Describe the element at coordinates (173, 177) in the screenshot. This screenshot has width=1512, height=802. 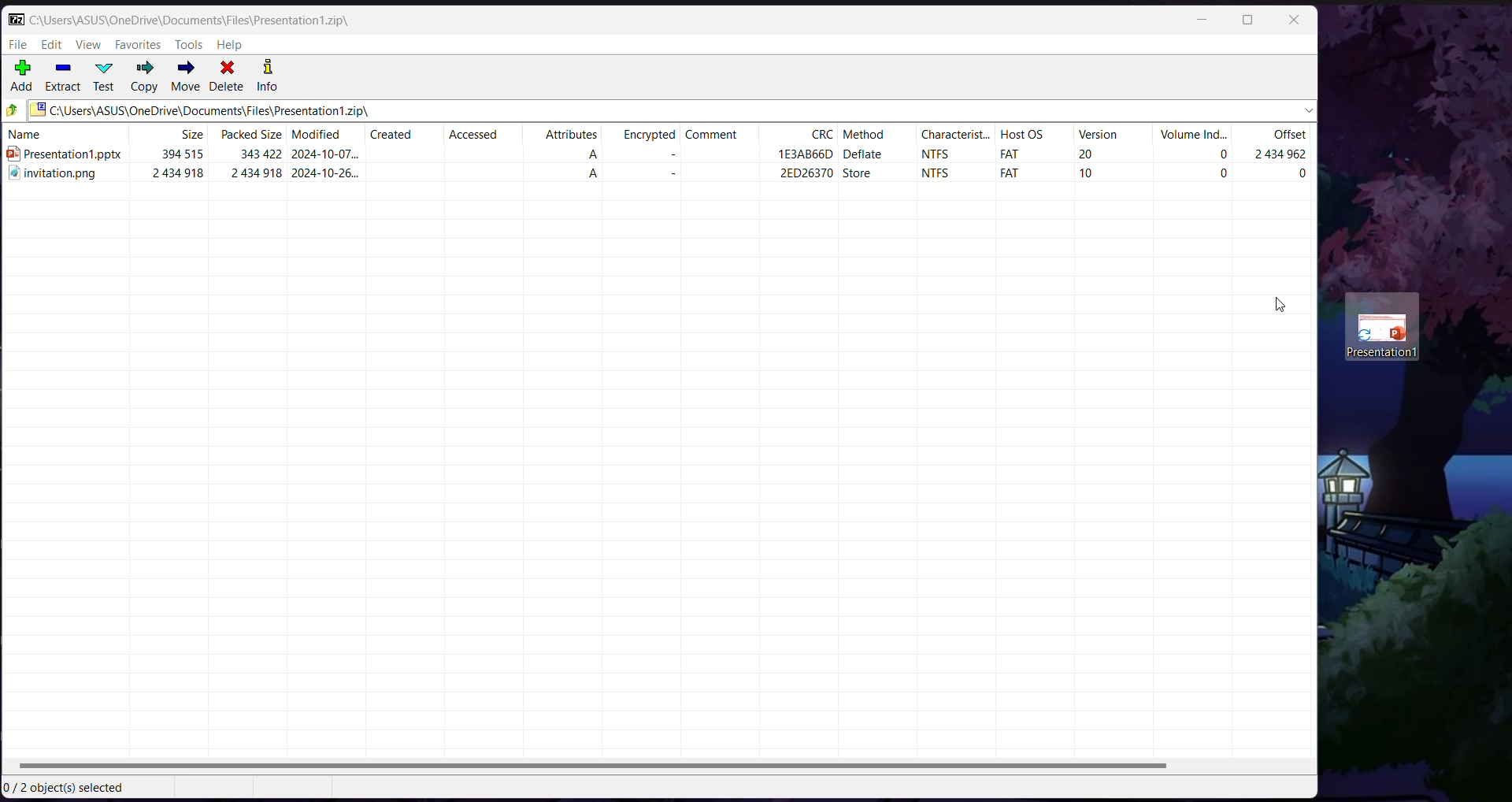
I see `2434918` at that location.